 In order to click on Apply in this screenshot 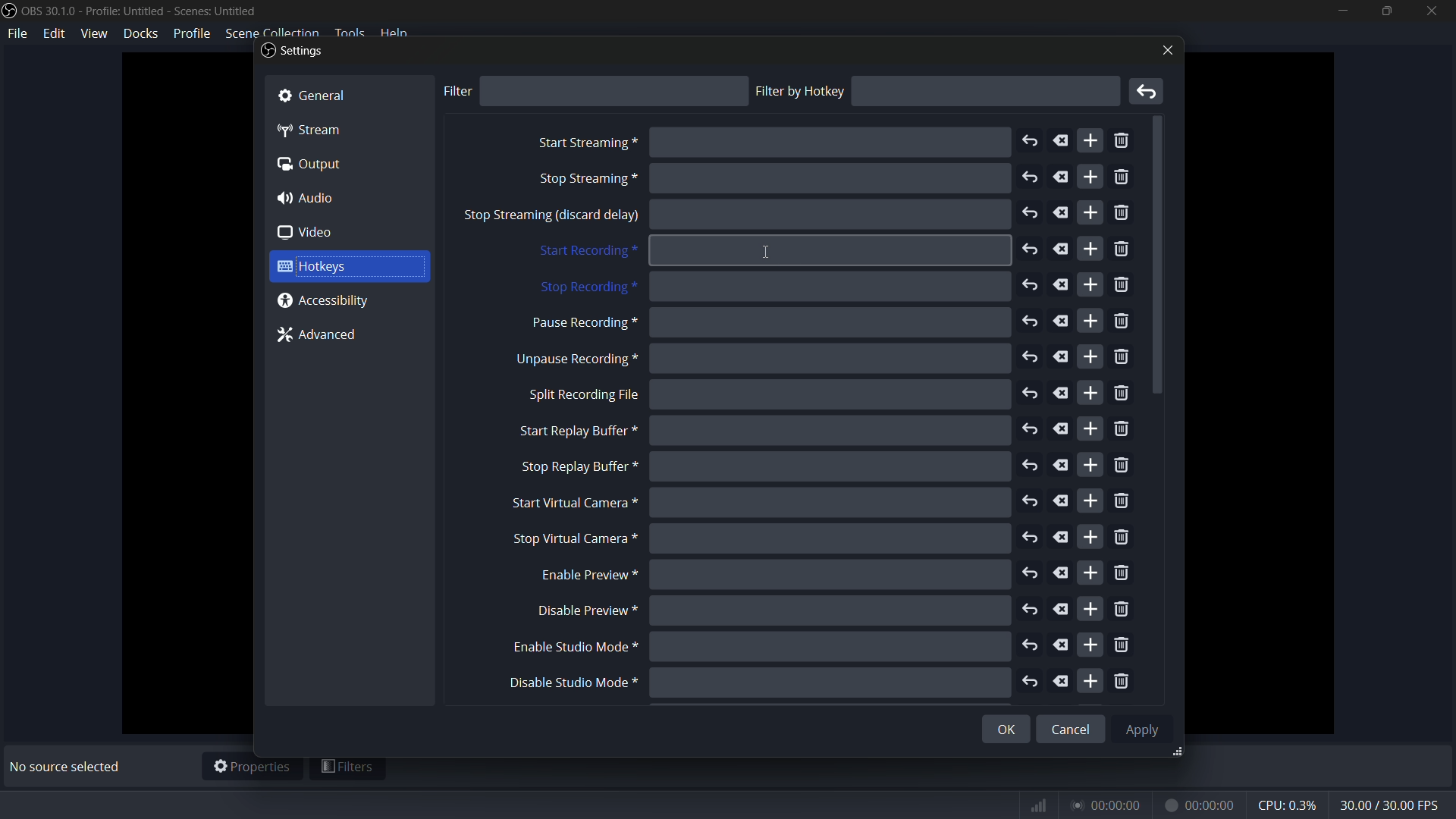, I will do `click(1145, 728)`.